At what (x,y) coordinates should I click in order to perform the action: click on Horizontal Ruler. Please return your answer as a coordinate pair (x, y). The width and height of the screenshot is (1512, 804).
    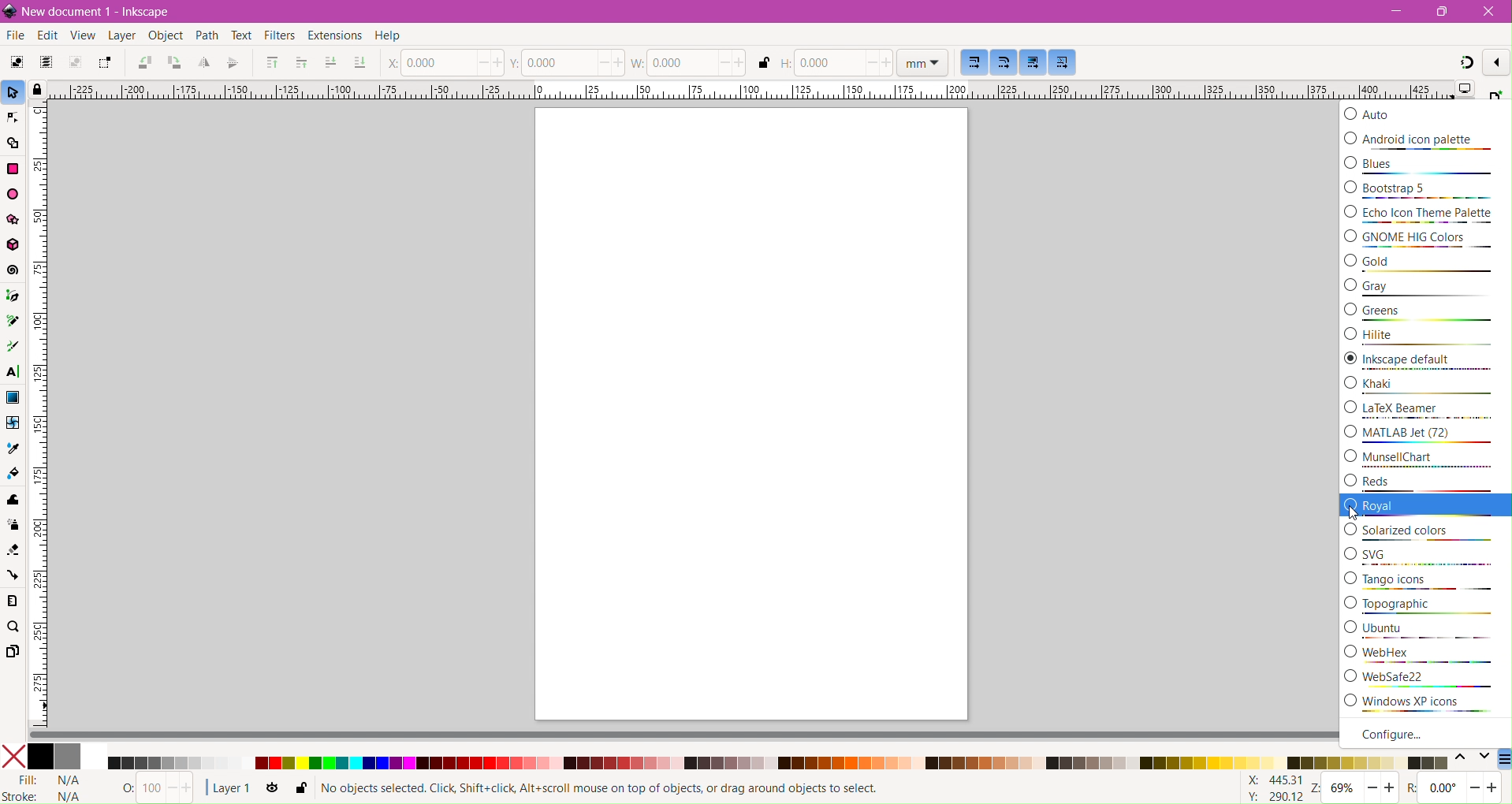
    Looking at the image, I should click on (747, 90).